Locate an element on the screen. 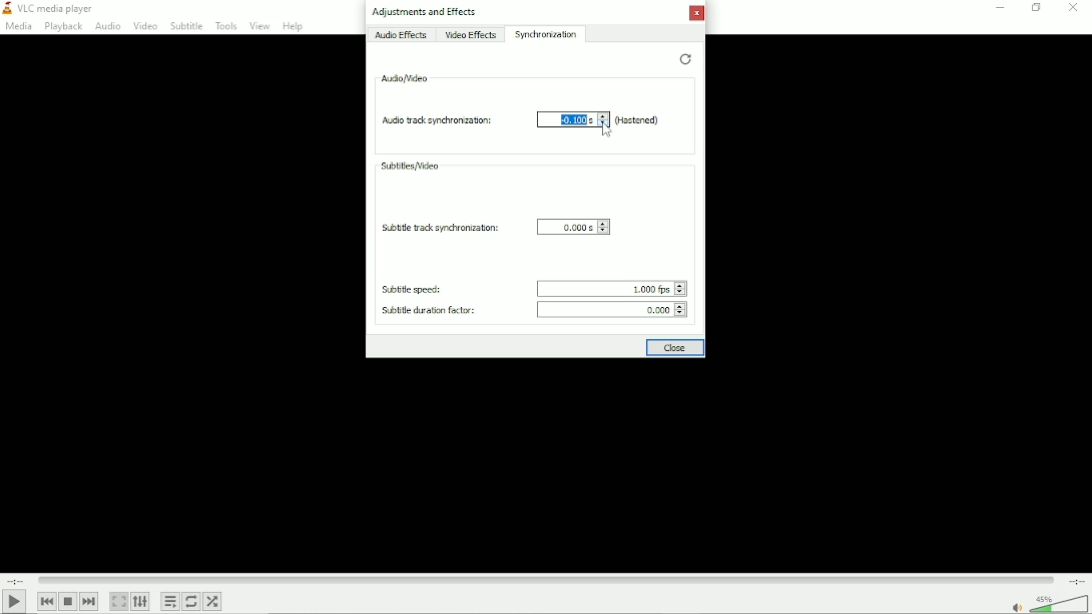 This screenshot has width=1092, height=614. Previous is located at coordinates (47, 602).